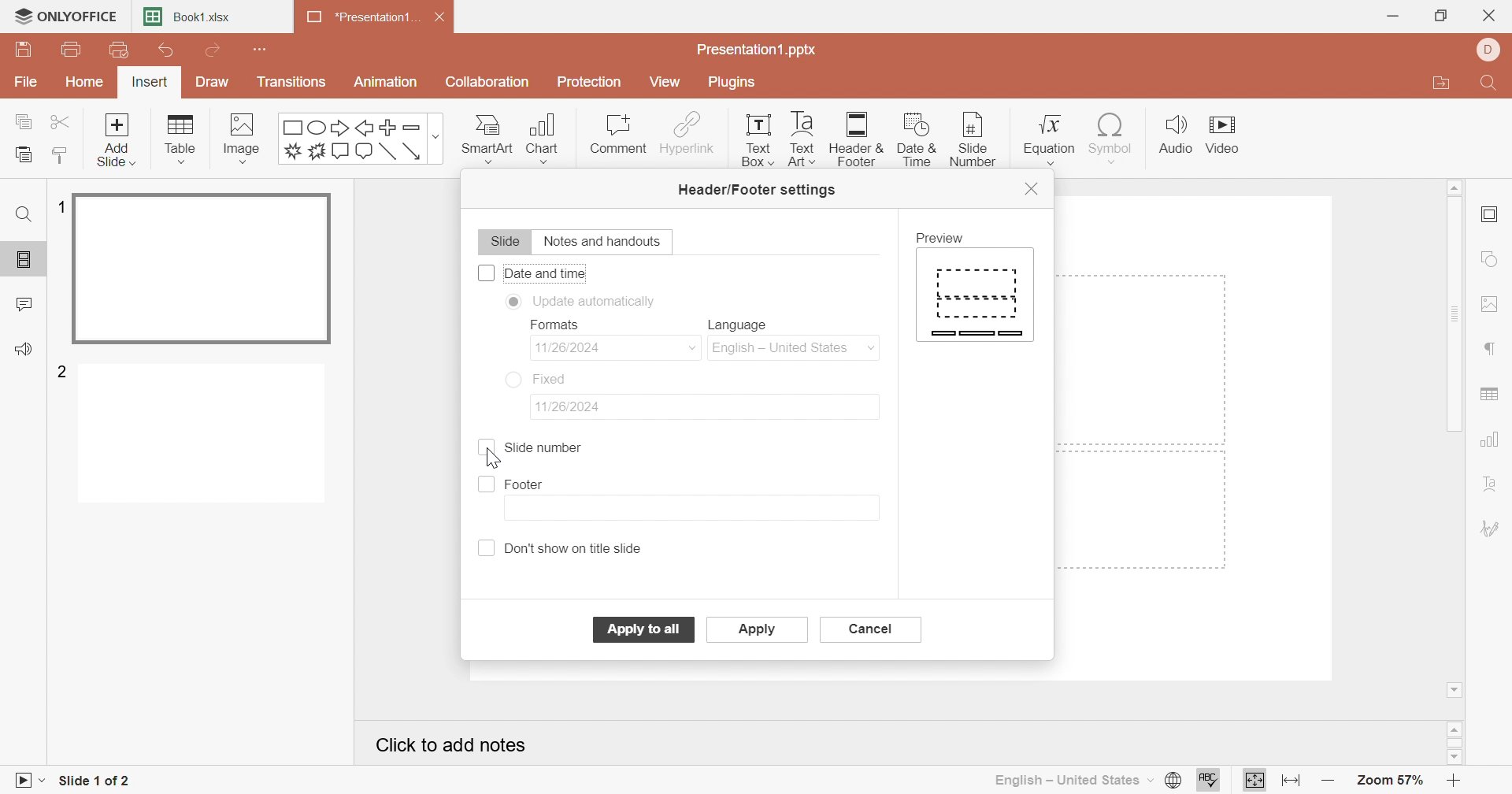 The image size is (1512, 794). I want to click on Radio button, so click(513, 302).